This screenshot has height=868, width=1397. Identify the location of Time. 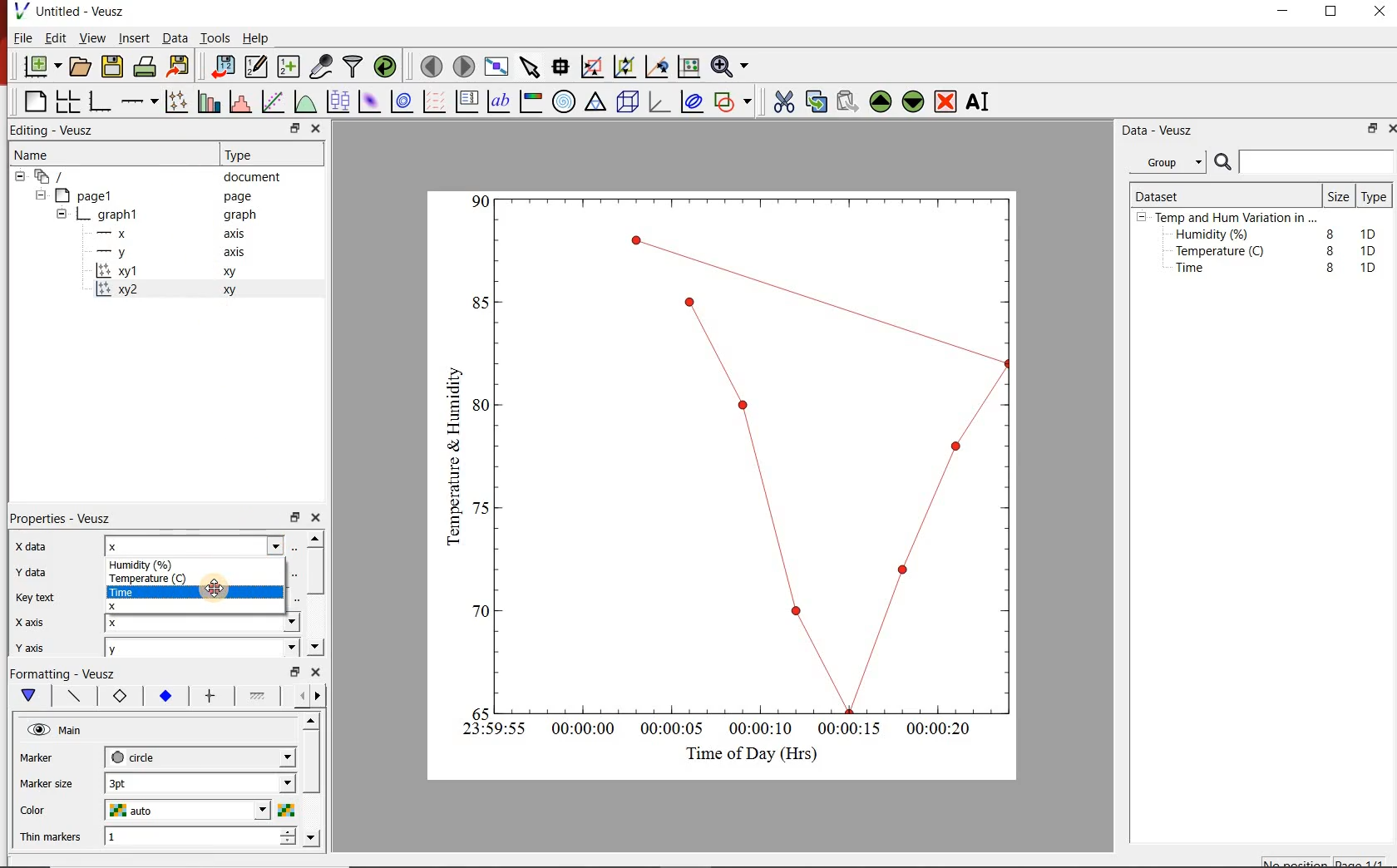
(1199, 272).